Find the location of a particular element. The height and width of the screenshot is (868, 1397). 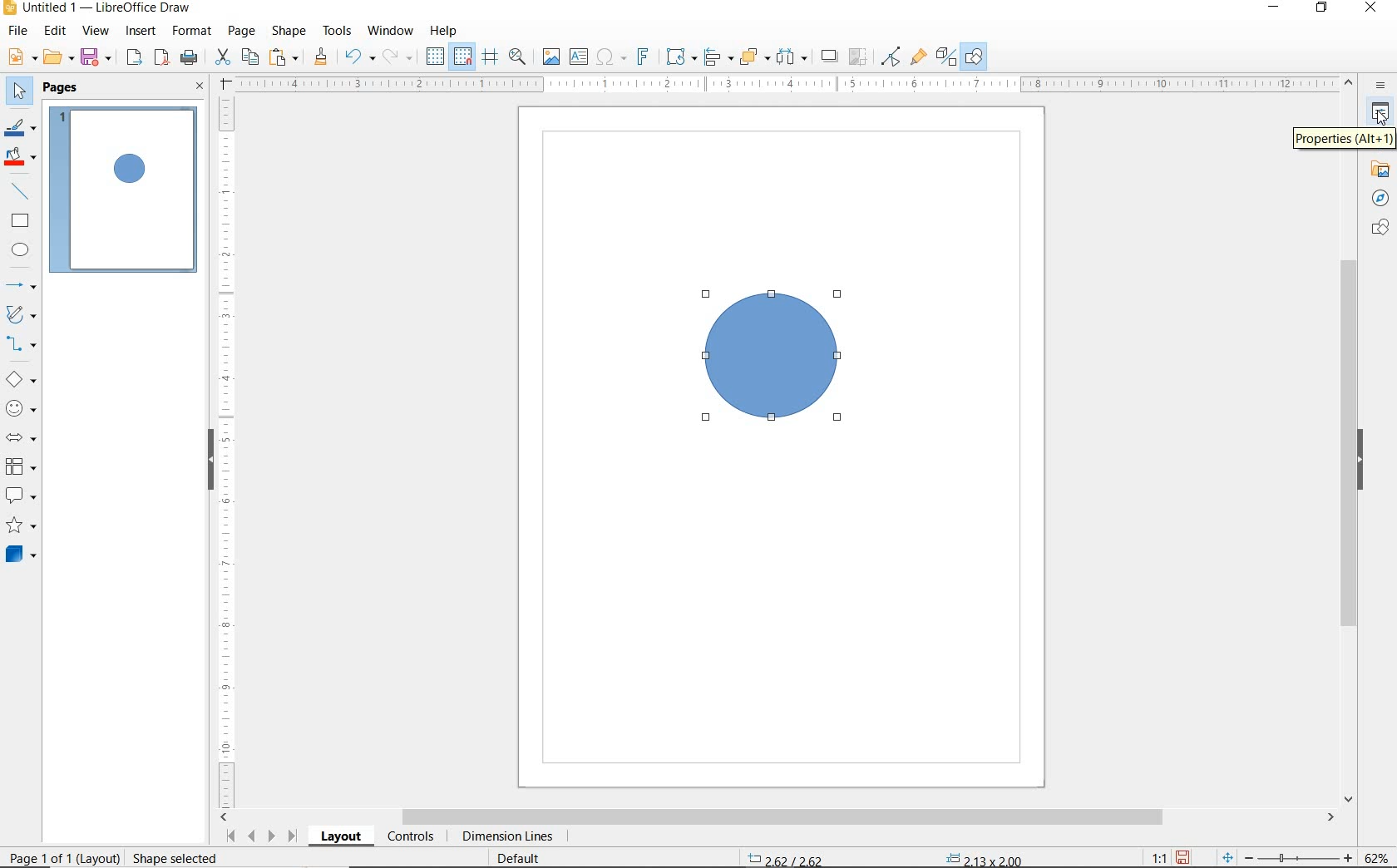

HELP is located at coordinates (444, 32).